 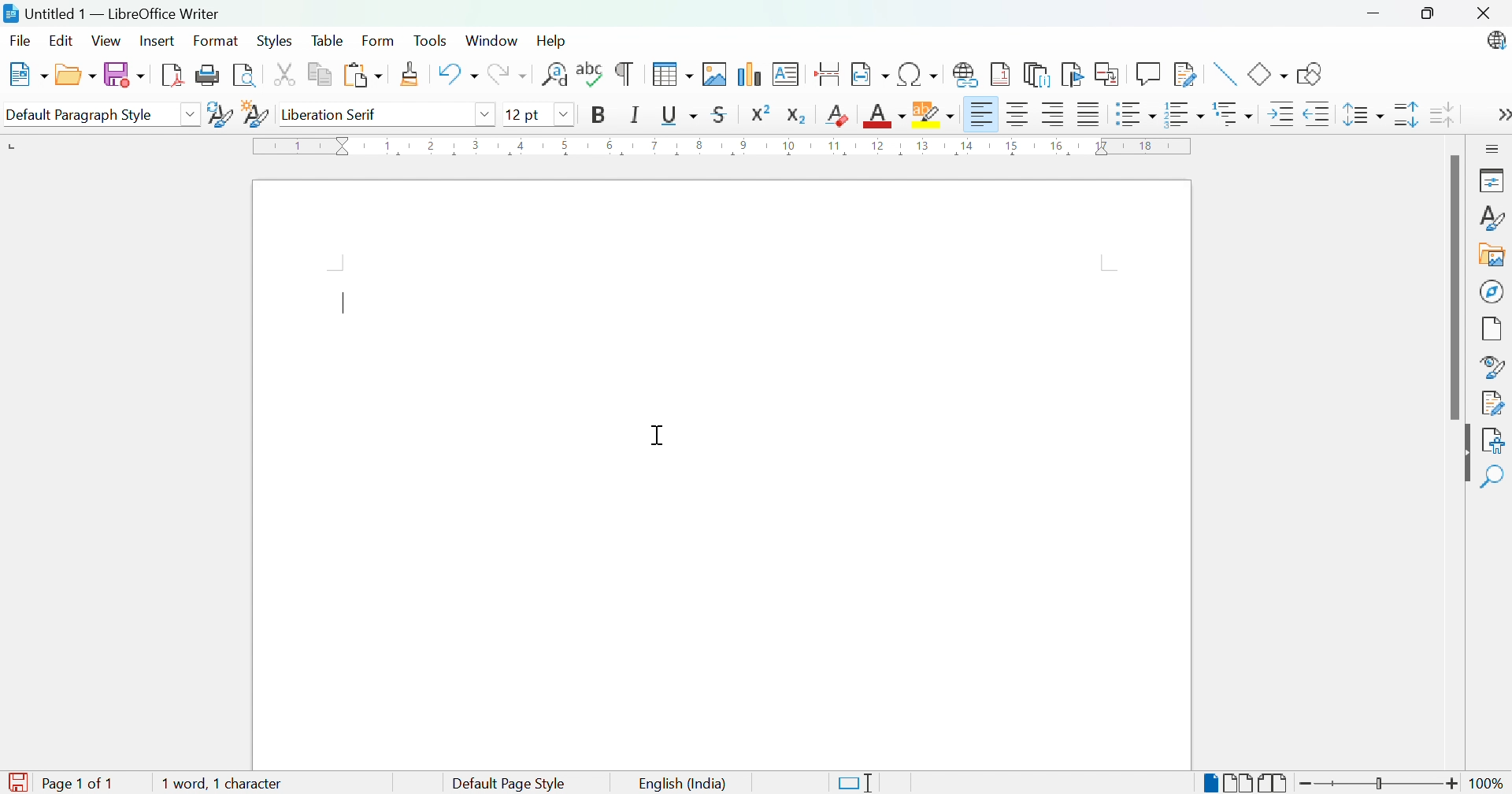 What do you see at coordinates (636, 114) in the screenshot?
I see `Italic` at bounding box center [636, 114].